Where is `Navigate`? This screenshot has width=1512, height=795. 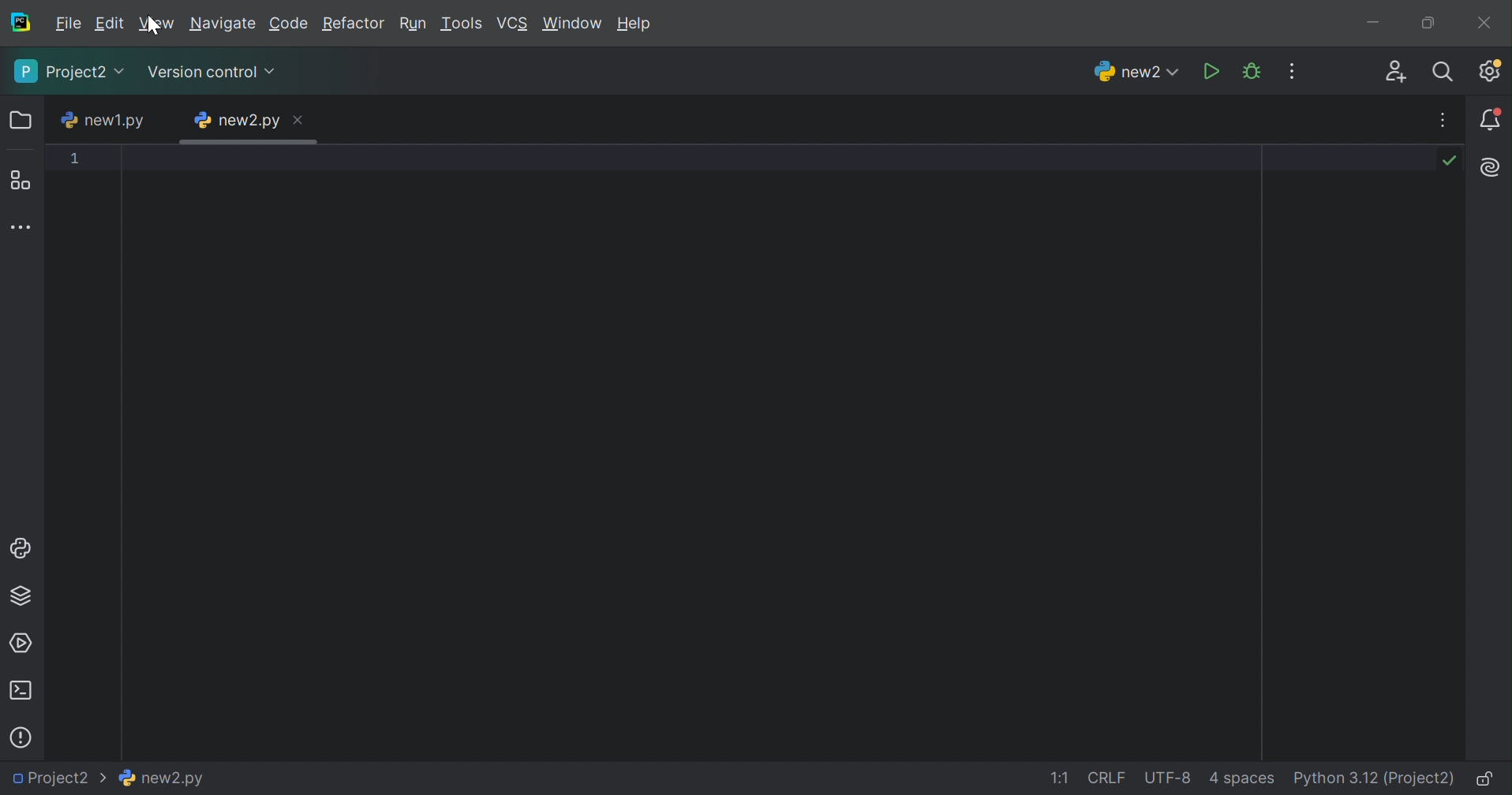 Navigate is located at coordinates (221, 24).